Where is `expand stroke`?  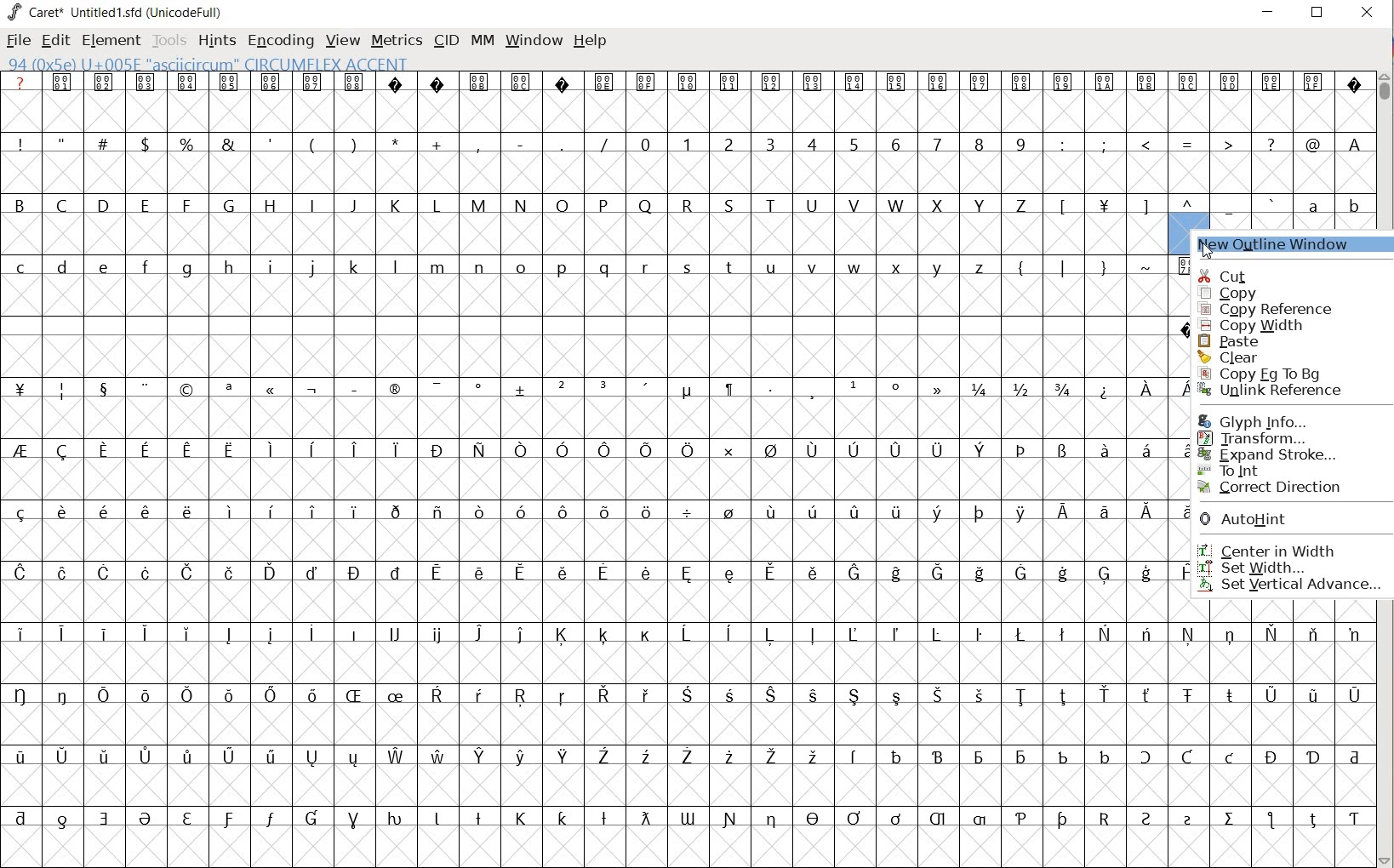
expand stroke is located at coordinates (1281, 454).